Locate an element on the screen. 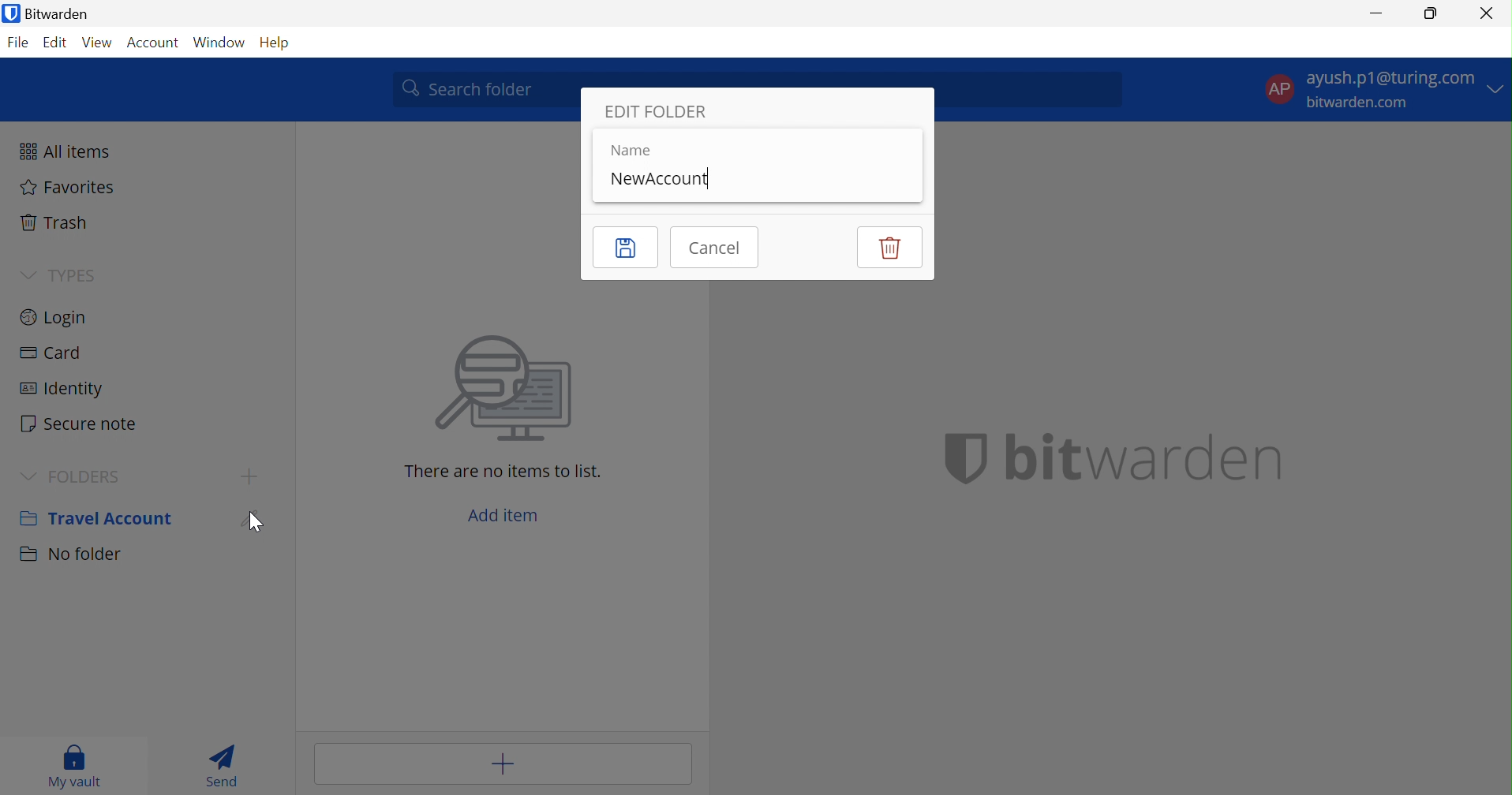  No folder is located at coordinates (70, 558).